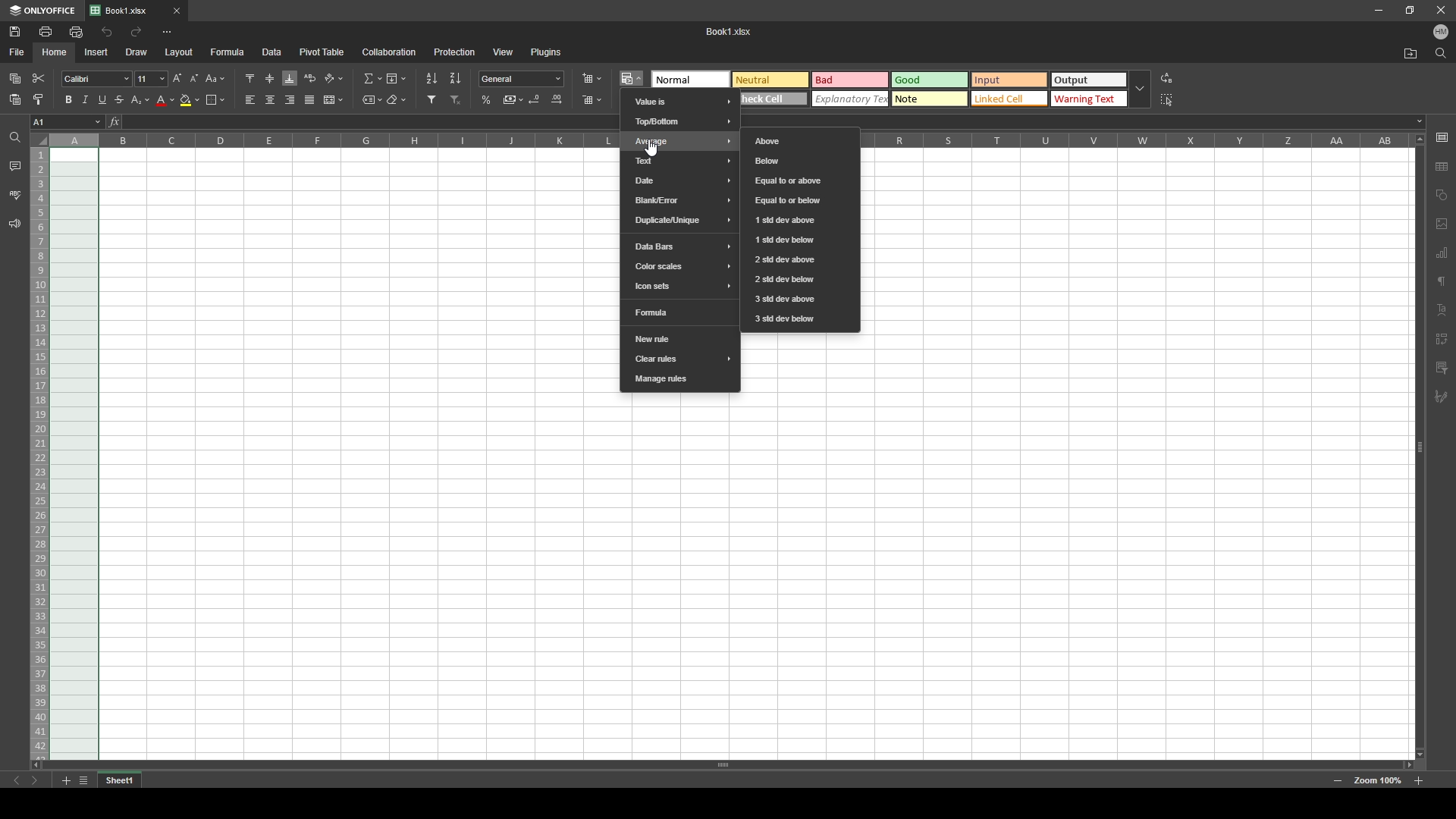 This screenshot has width=1456, height=819. What do you see at coordinates (799, 279) in the screenshot?
I see `2 std dev below` at bounding box center [799, 279].